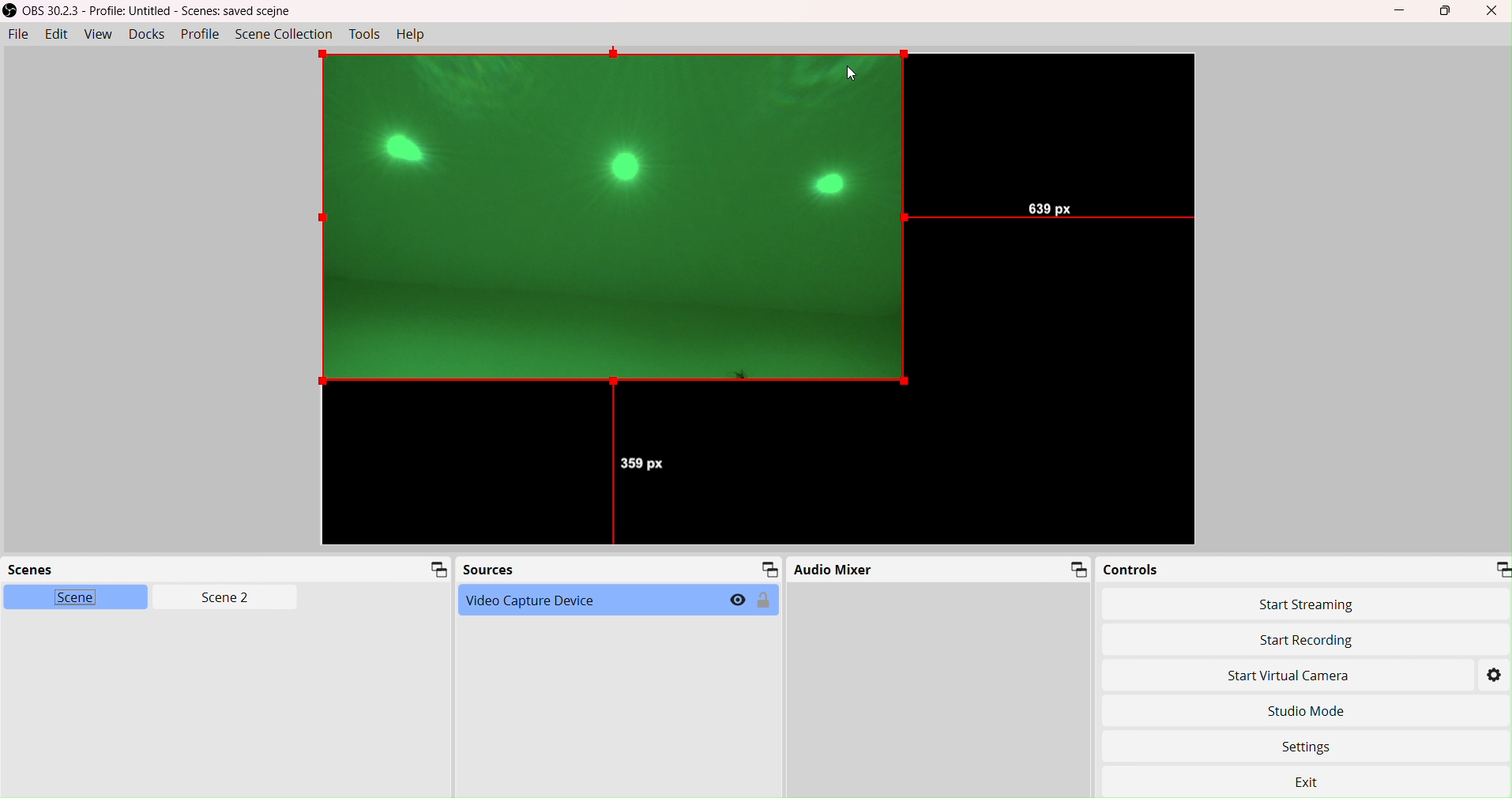 The height and width of the screenshot is (798, 1512). What do you see at coordinates (1491, 10) in the screenshot?
I see `Close` at bounding box center [1491, 10].